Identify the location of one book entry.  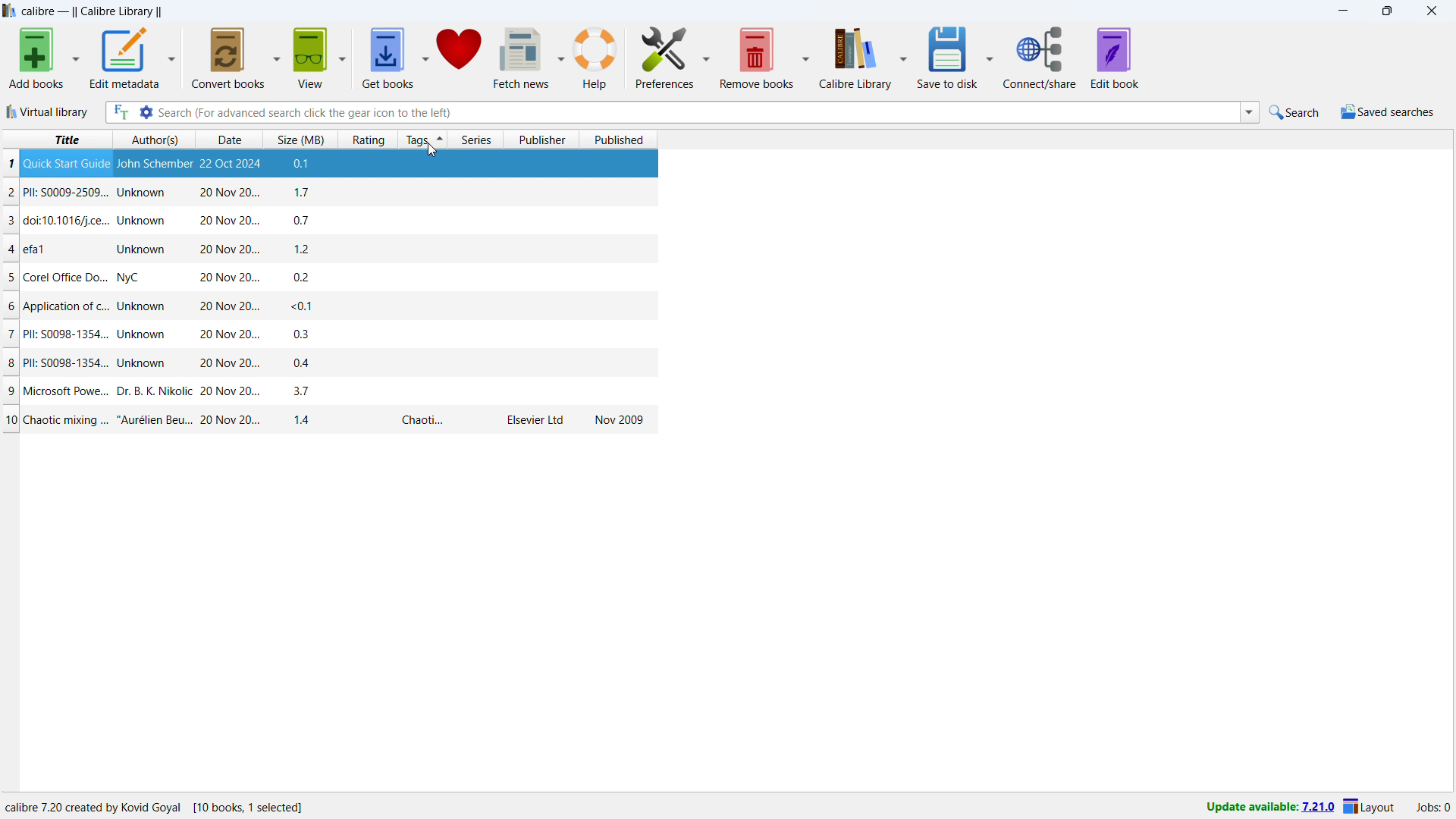
(325, 364).